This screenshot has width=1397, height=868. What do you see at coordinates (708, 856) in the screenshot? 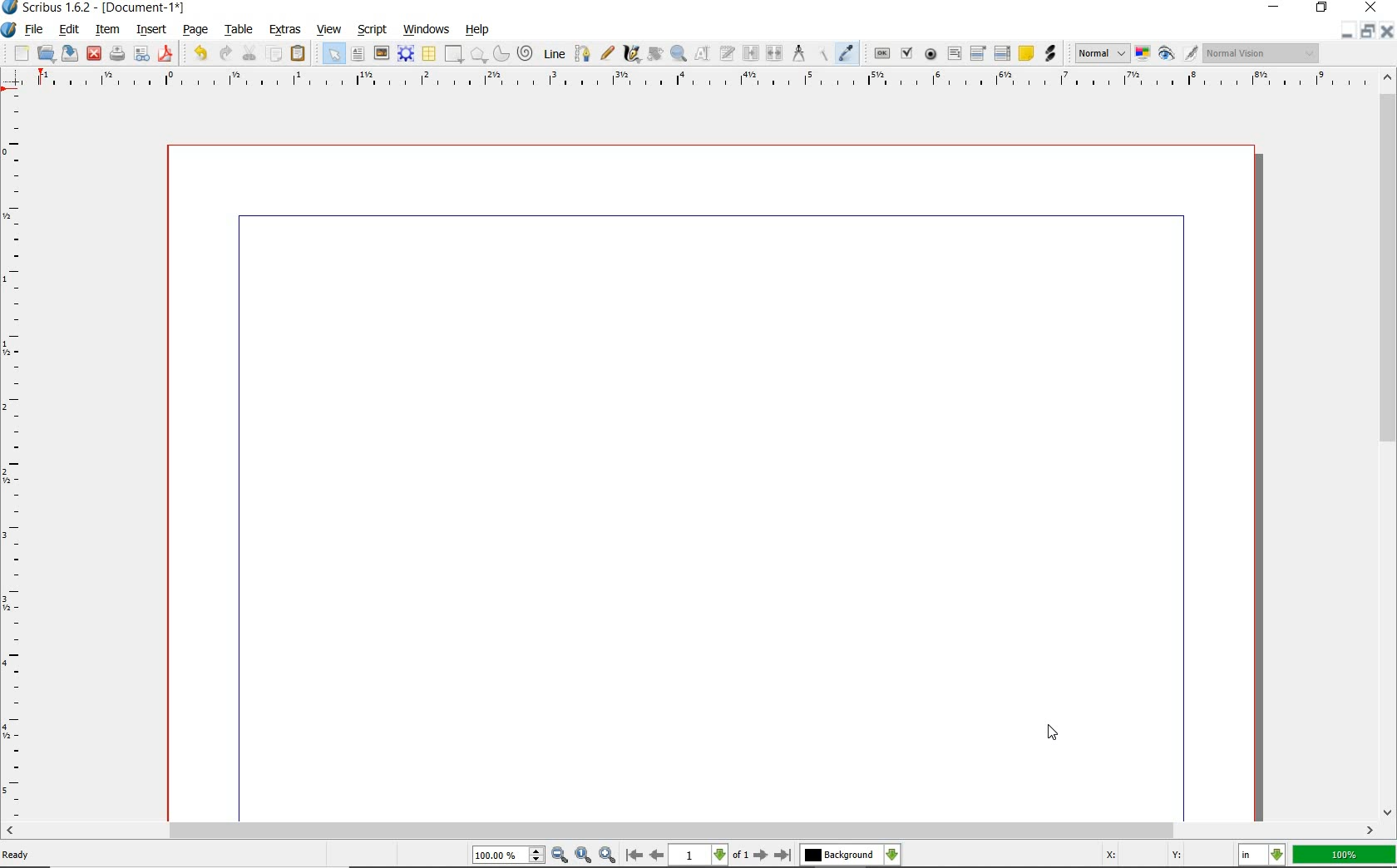
I see `move to next or previous page` at bounding box center [708, 856].